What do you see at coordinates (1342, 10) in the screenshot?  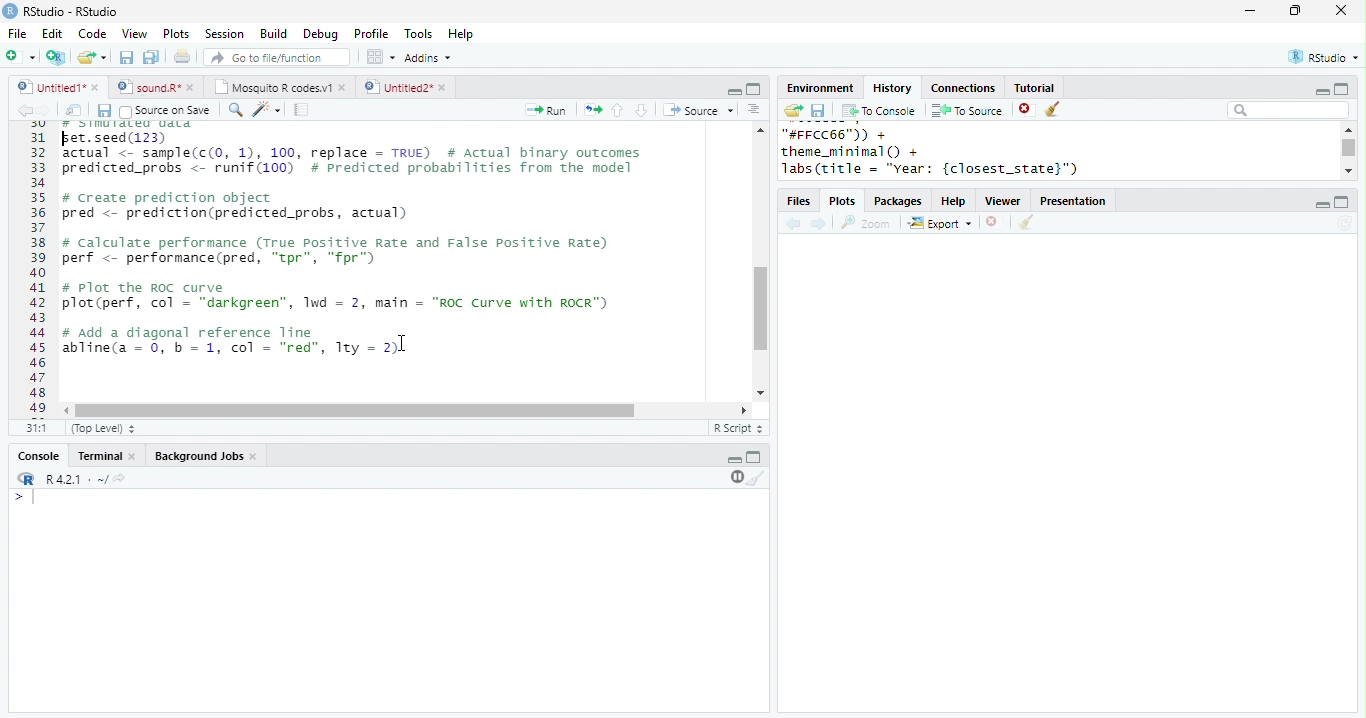 I see `close` at bounding box center [1342, 10].